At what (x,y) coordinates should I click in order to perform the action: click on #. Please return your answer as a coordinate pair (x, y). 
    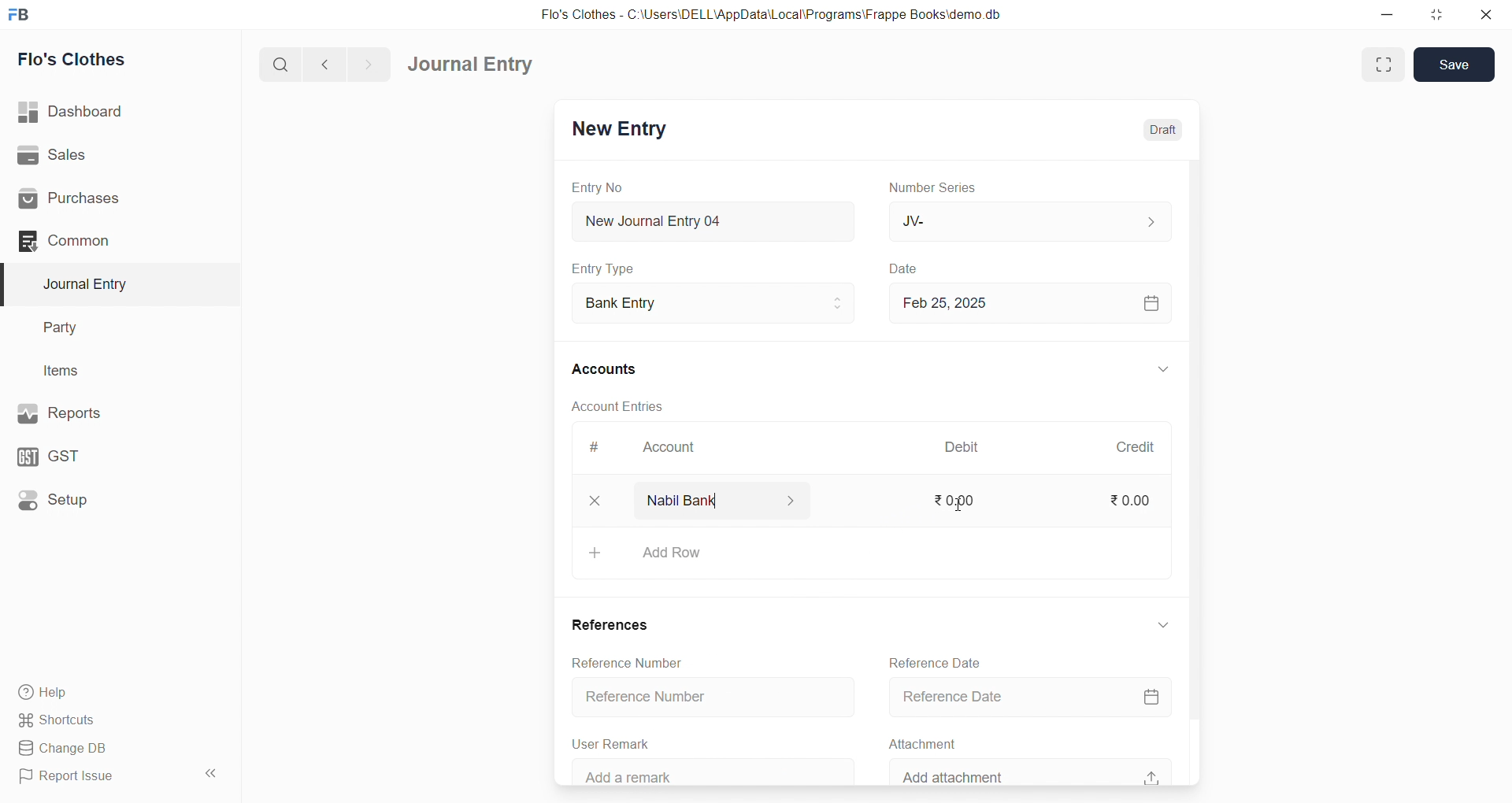
    Looking at the image, I should click on (595, 449).